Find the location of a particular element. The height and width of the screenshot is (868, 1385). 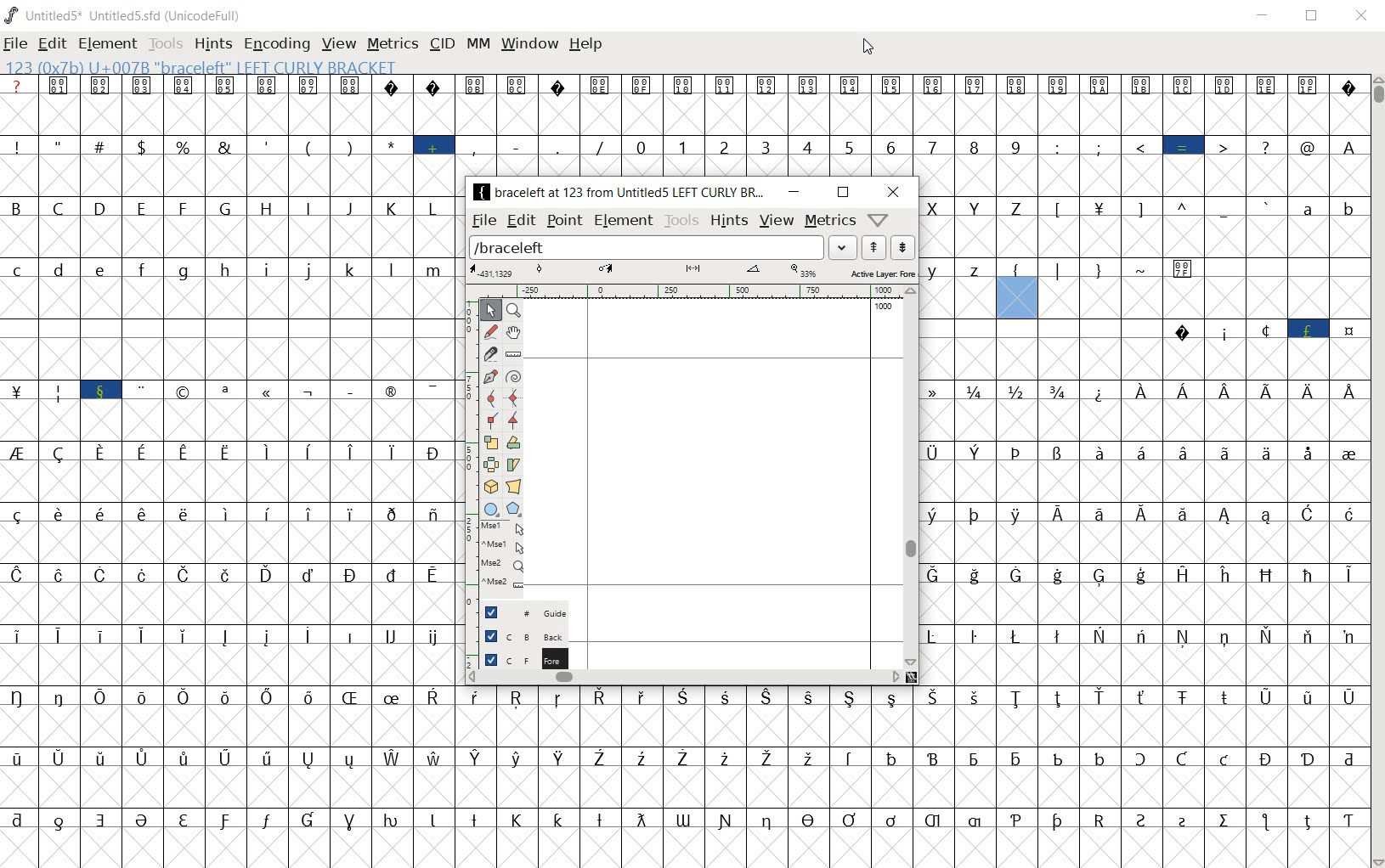

Help/Window is located at coordinates (879, 222).